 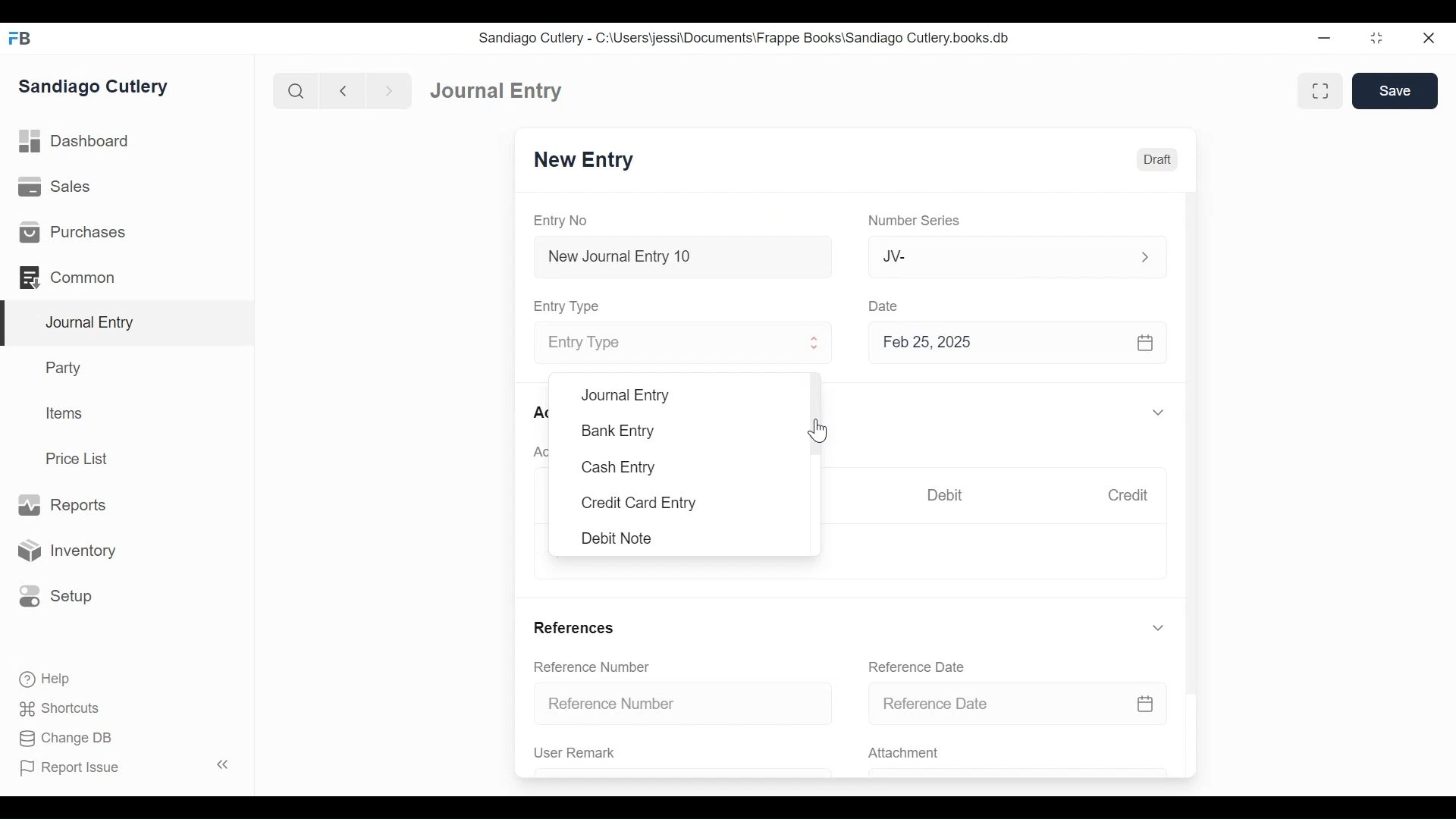 I want to click on Sales, so click(x=53, y=188).